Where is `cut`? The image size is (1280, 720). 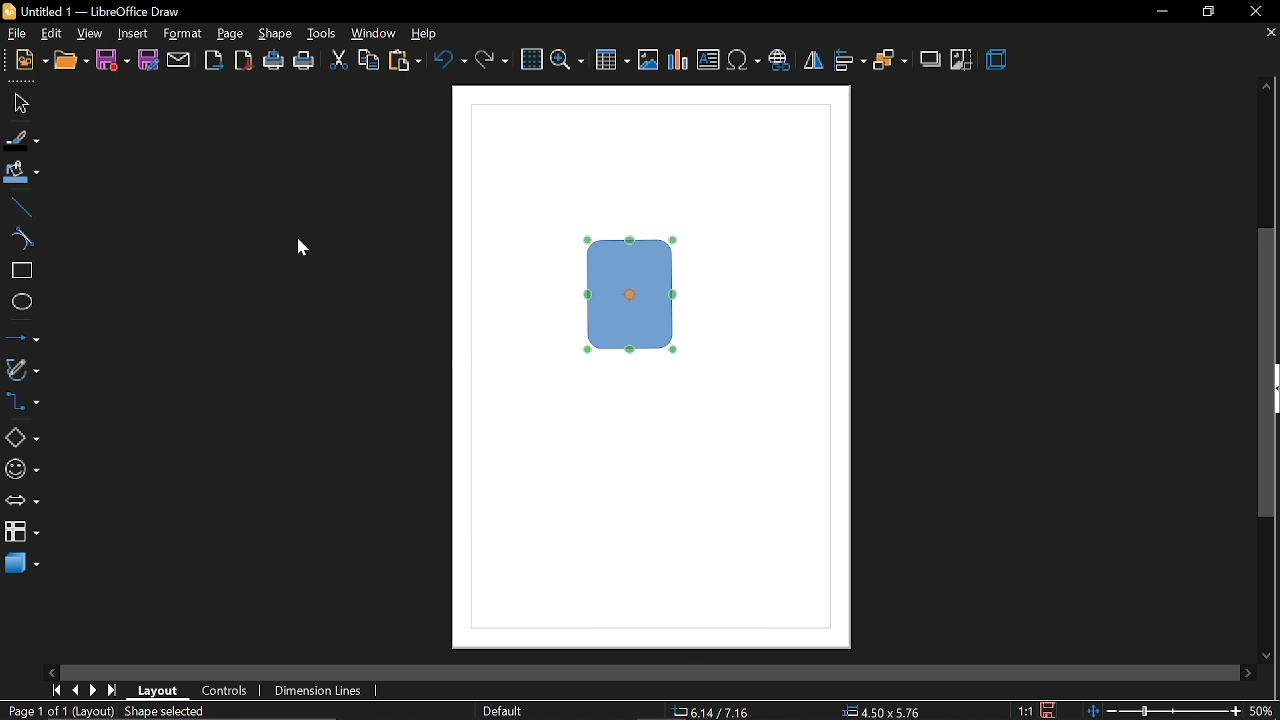 cut is located at coordinates (340, 60).